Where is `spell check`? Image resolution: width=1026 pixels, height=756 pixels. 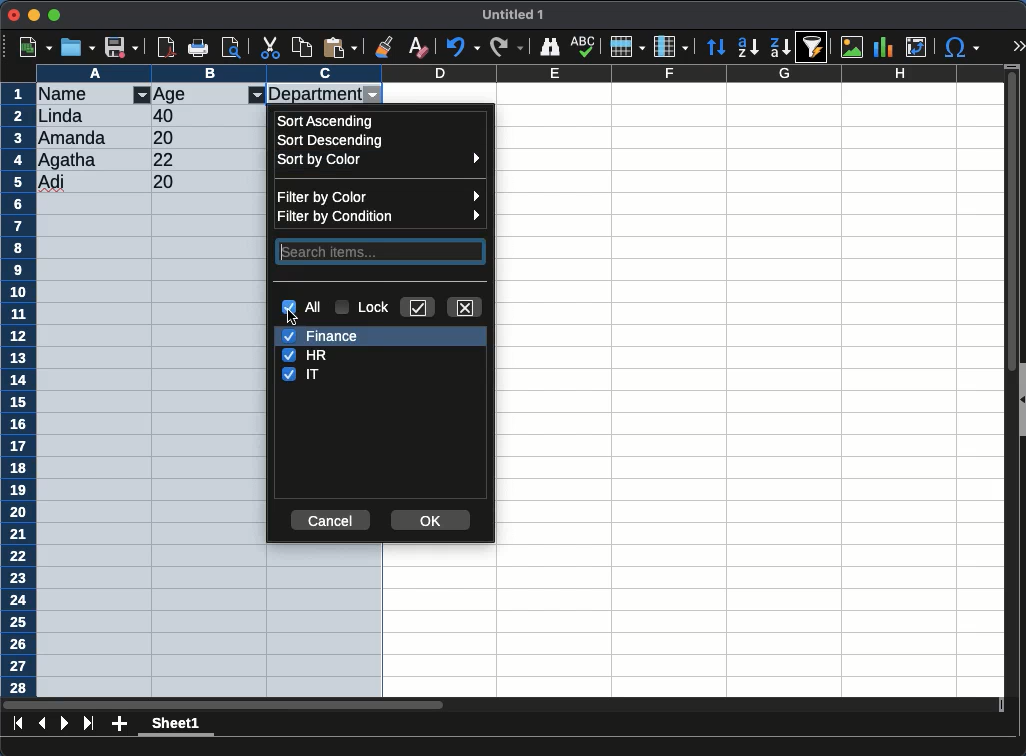 spell check is located at coordinates (584, 44).